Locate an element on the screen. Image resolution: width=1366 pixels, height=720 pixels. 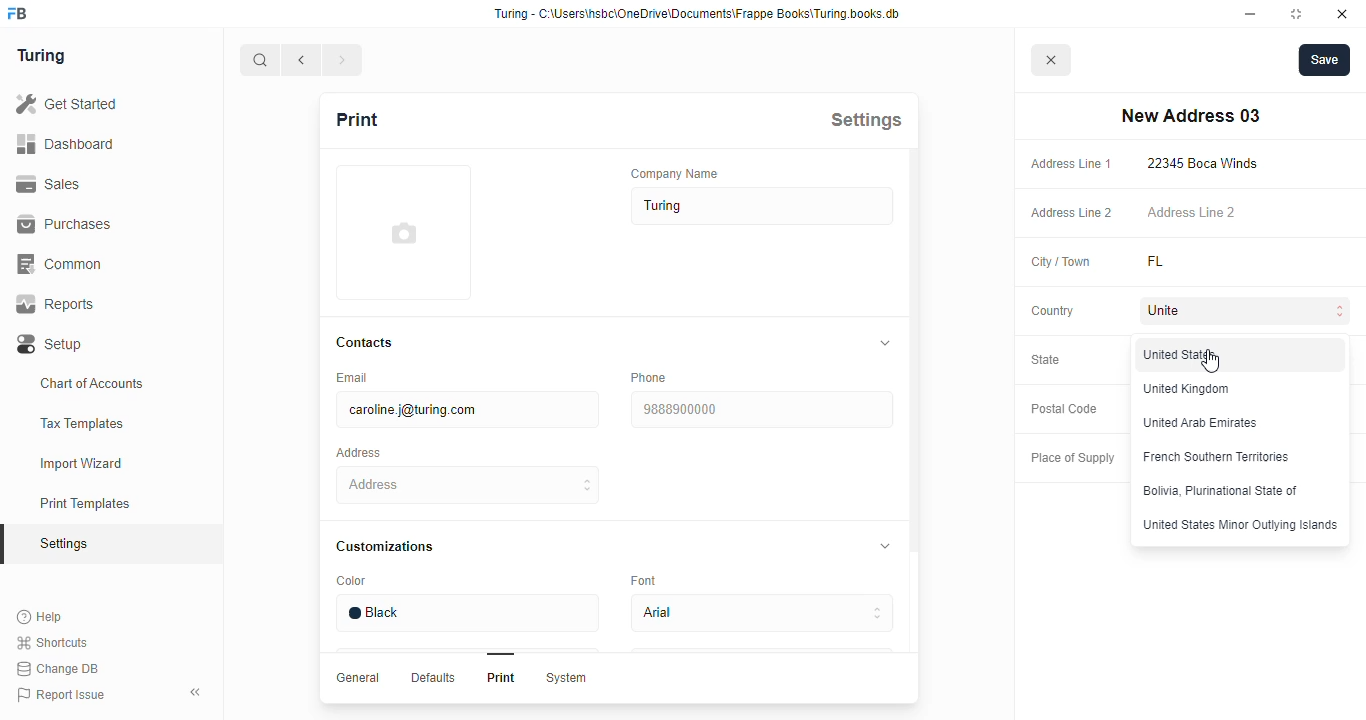
Defaults is located at coordinates (431, 677).